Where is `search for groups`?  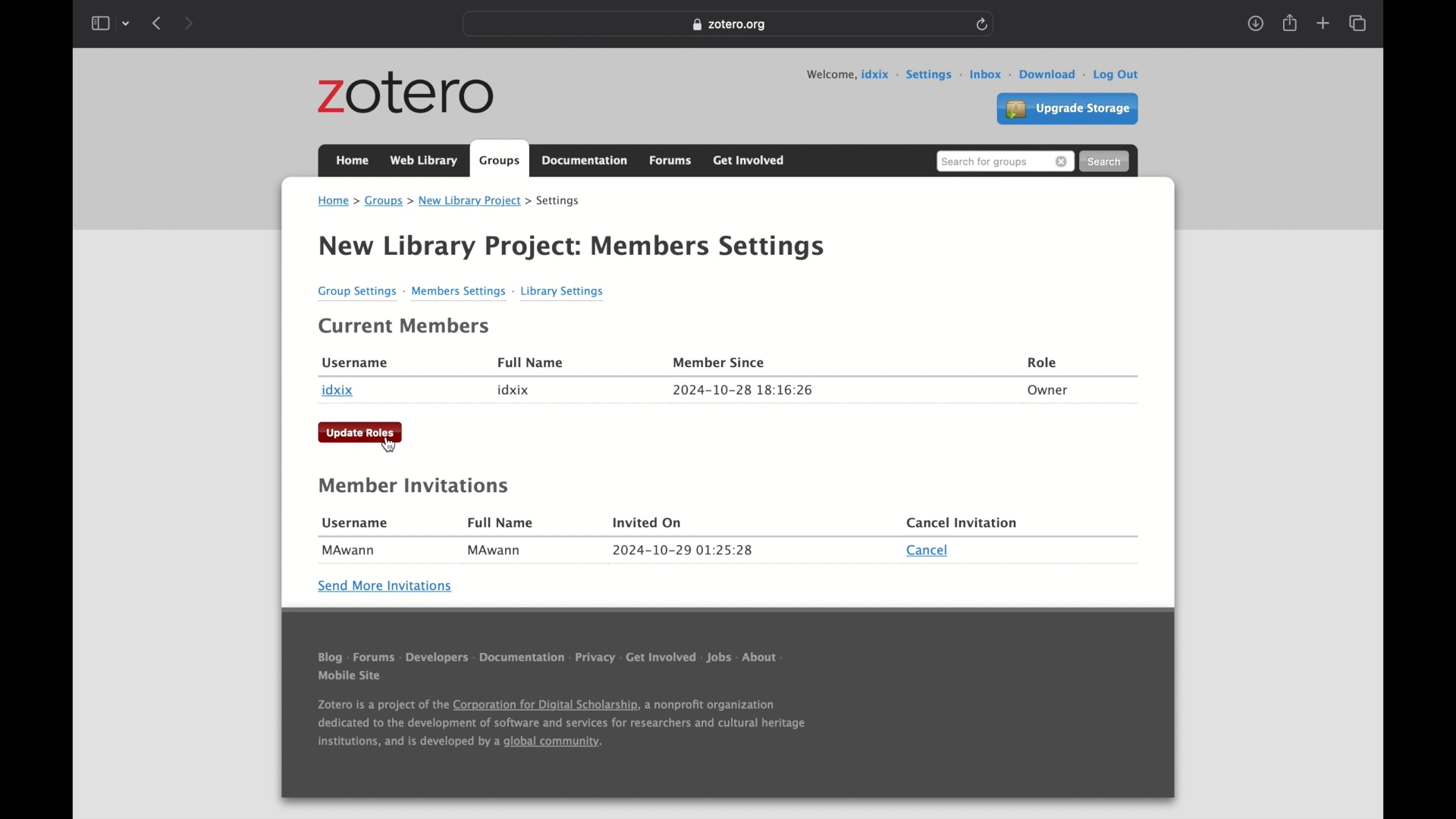 search for groups is located at coordinates (1005, 161).